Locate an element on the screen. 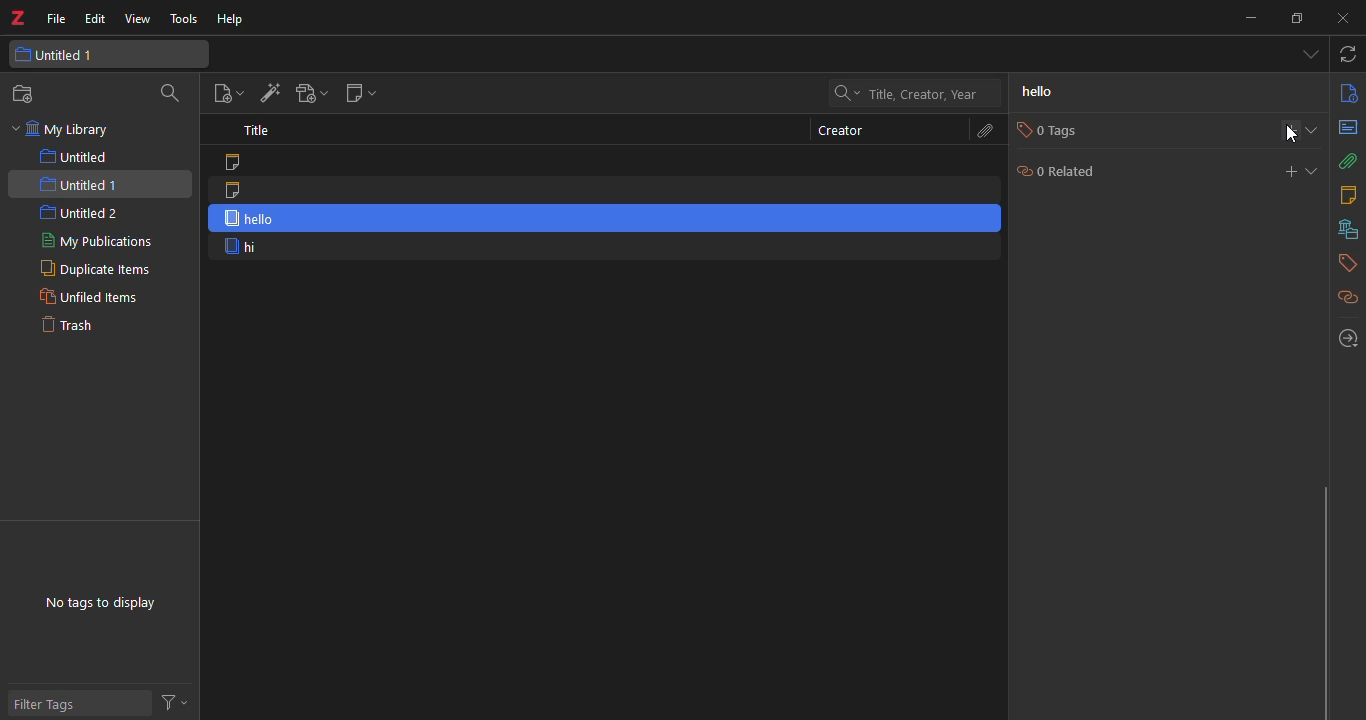  tools is located at coordinates (183, 19).